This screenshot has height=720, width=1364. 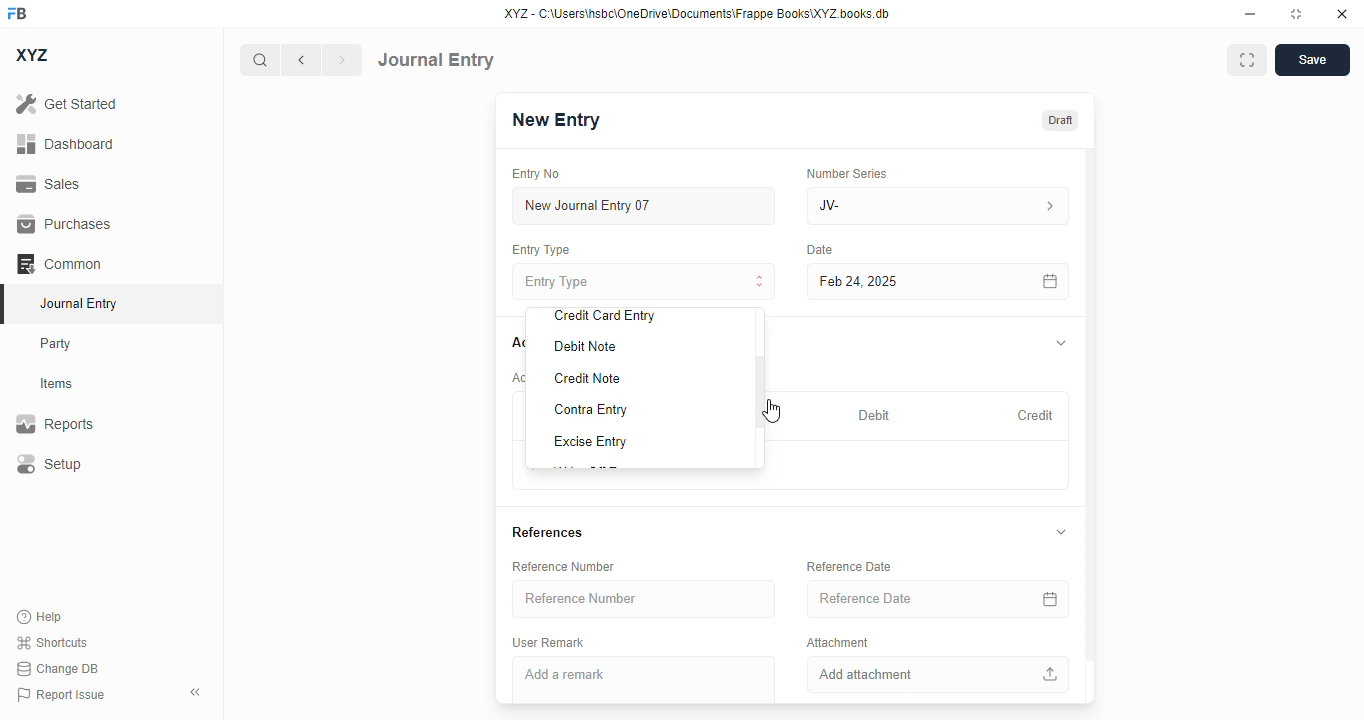 I want to click on purchases, so click(x=66, y=224).